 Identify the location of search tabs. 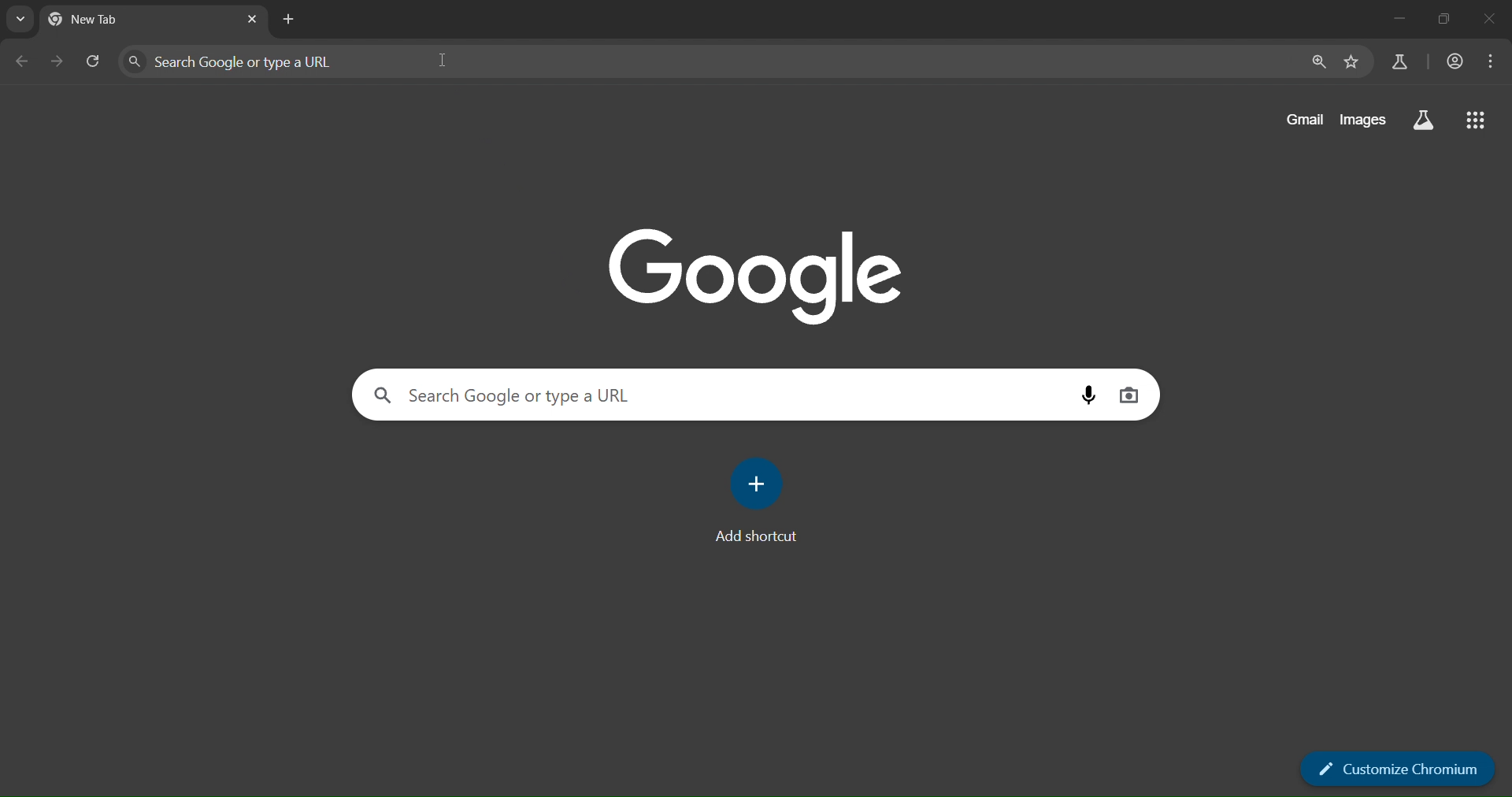
(20, 18).